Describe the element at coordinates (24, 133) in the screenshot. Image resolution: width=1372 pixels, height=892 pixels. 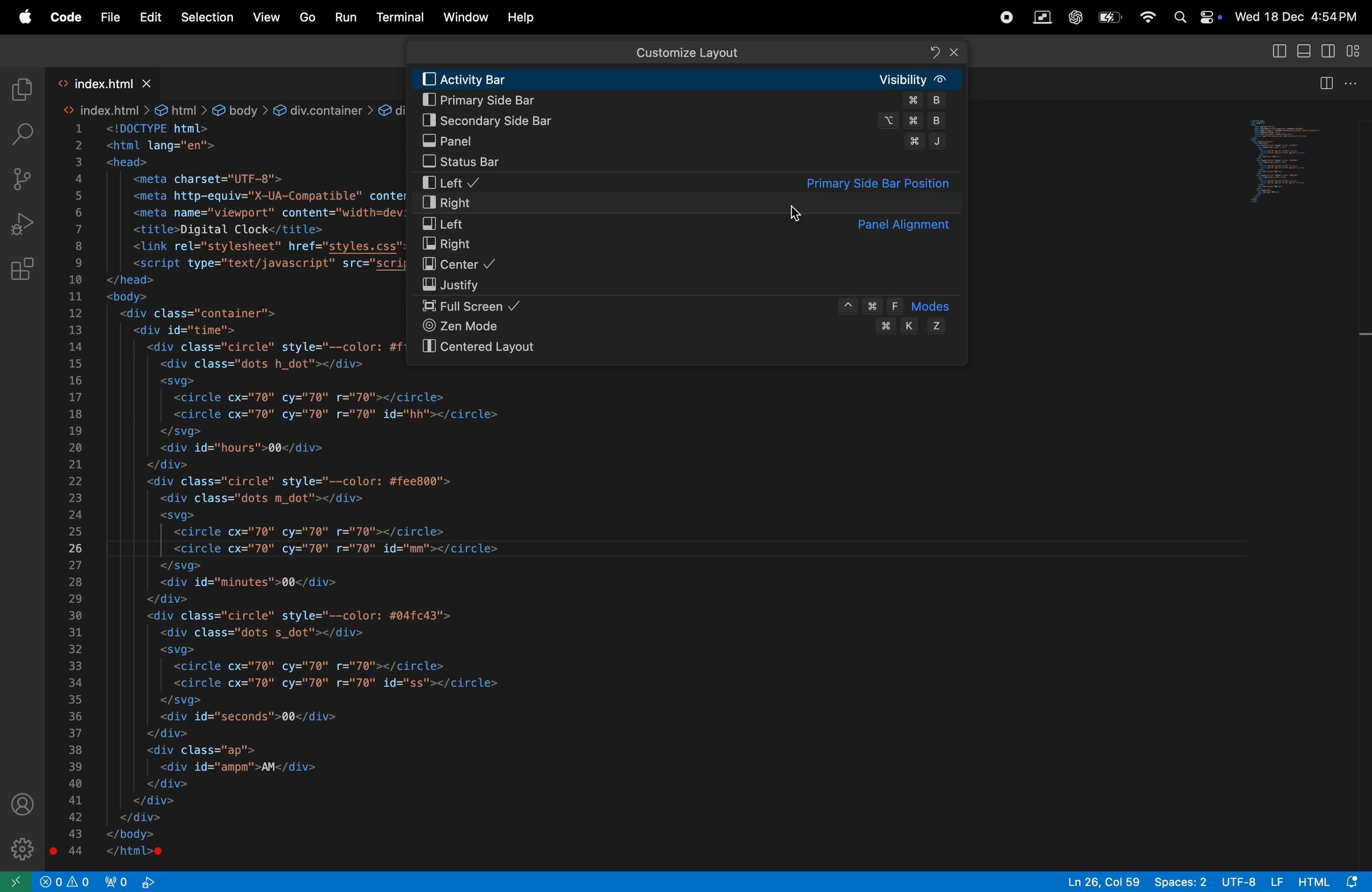
I see `search` at that location.